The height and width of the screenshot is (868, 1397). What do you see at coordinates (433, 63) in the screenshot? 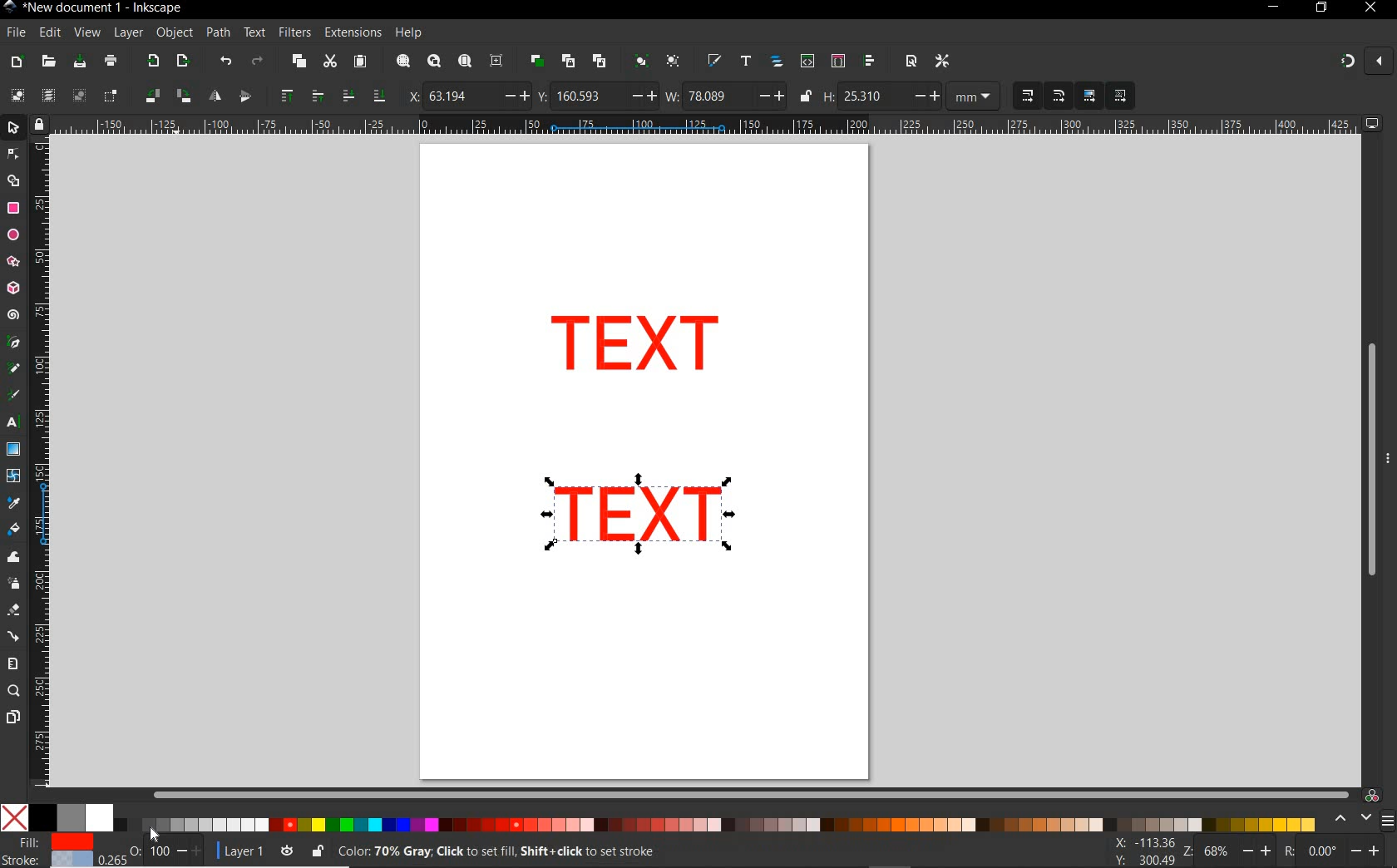
I see `zoom drawing` at bounding box center [433, 63].